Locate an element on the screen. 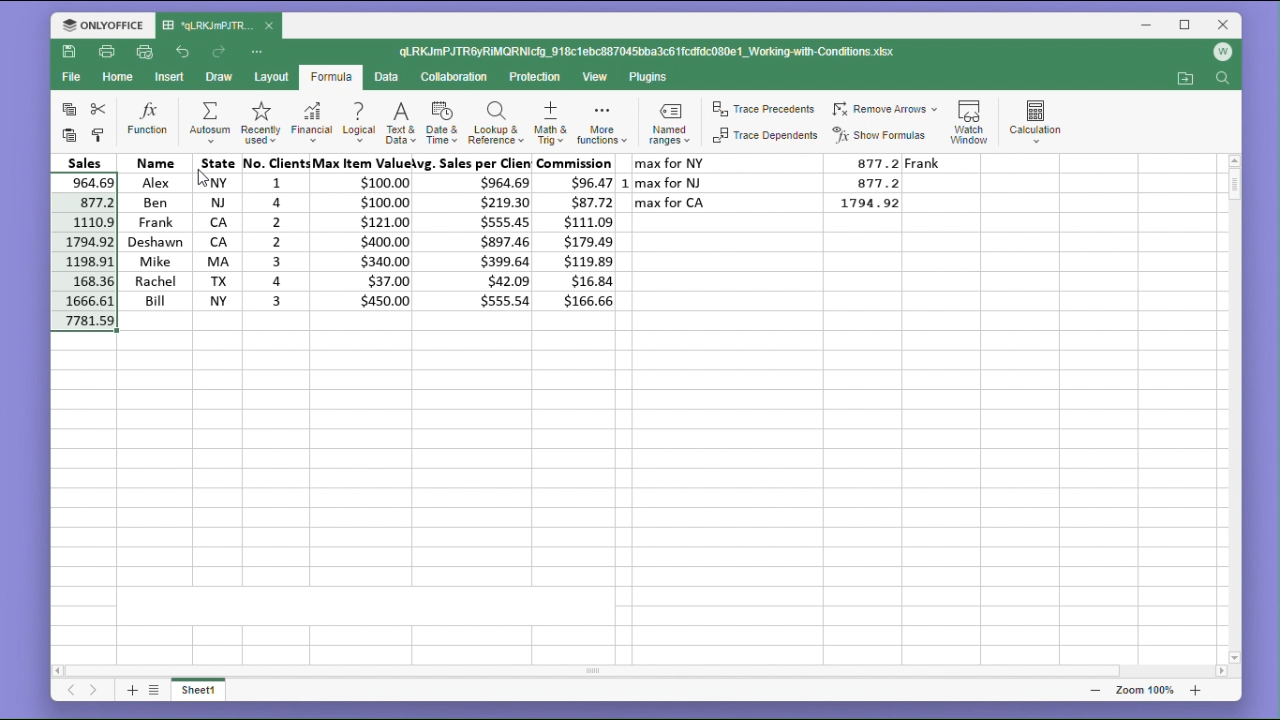 This screenshot has height=720, width=1280. Sales is located at coordinates (85, 162).